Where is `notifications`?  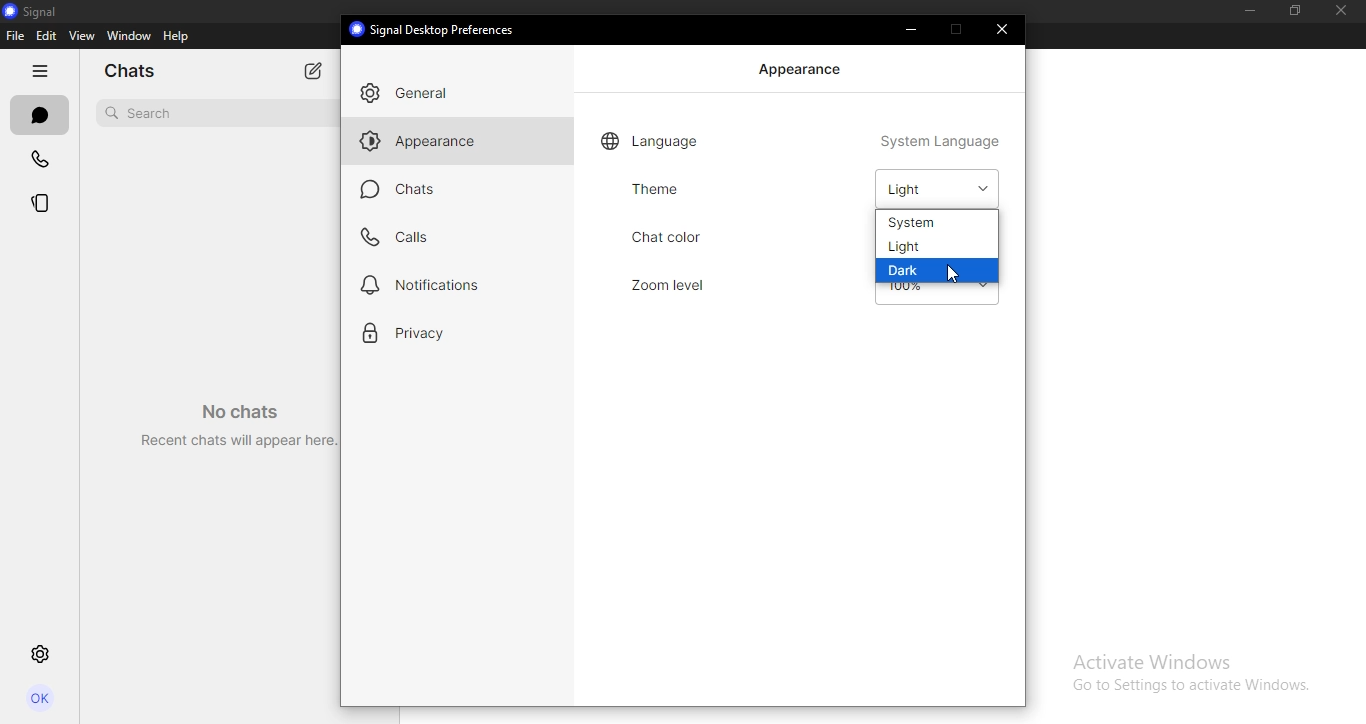 notifications is located at coordinates (426, 284).